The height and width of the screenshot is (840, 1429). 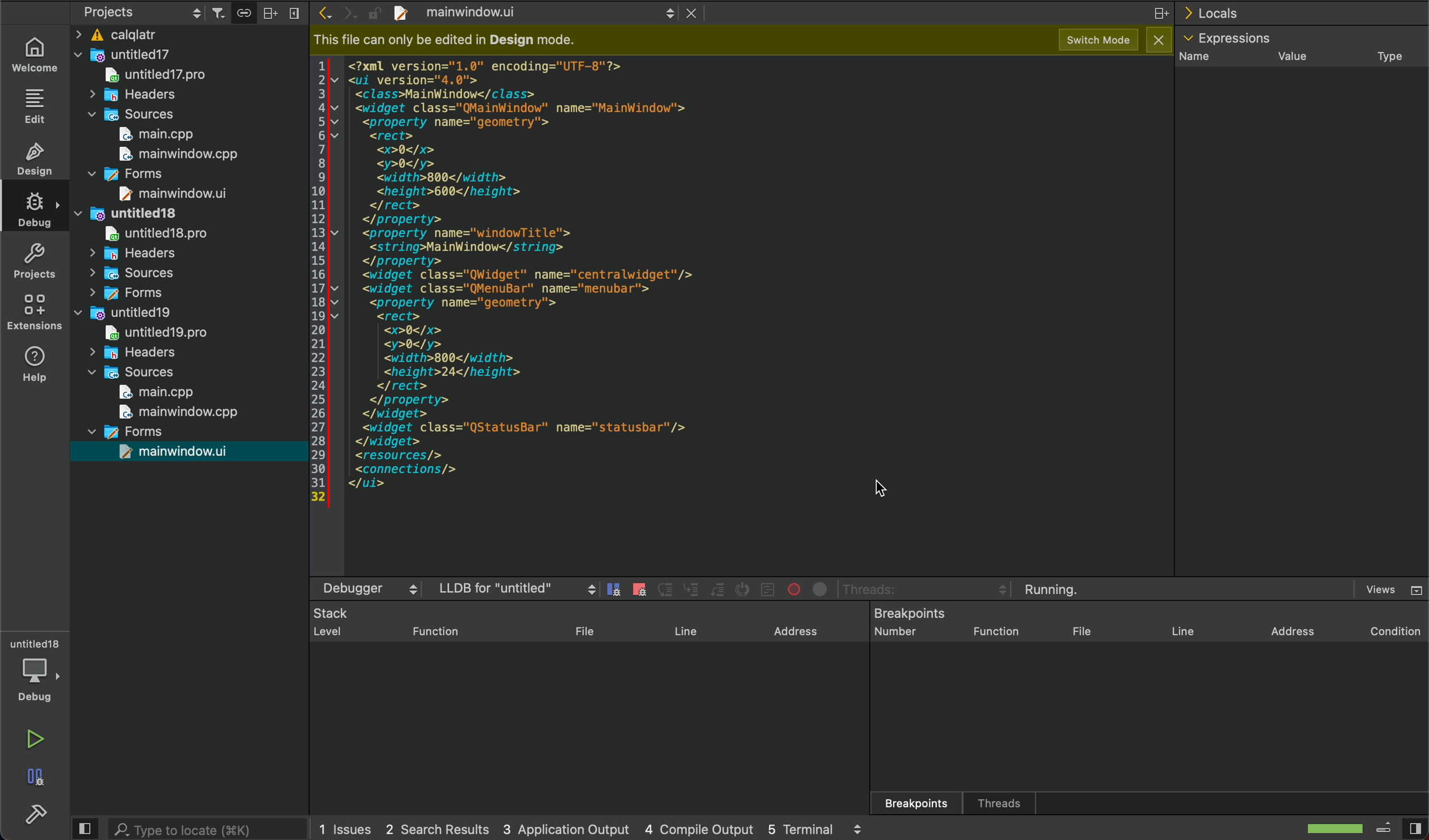 I want to click on 1 <?xml version="1.0" encoding="UTF-8"7?>

2 v <ui version="4.0">

BB] <class>MainWindow</class>

4 v | <widget class="QMainWindow" name="MainWindow'">
5v <property name='"geometry">

6 Vv <rect>

7 <x>0</x>

8 <y>0</y>

9 <width>800</width>

10 <height>600</height>

11 </rect>

12 </property>

13 v <property name="windowTitle">

14 <string>MainWindow</string>

15 </property>

16 <widget class="QWidget" name="centralwidget"/>
17 v <widget class="QMenuBar" name="menubar">
18 v <property name="geometry">

19 v <rect>

20 <x>0</x>

211) <y>0</y>

22 <width>800</width>

23 <height>24</height>

24 </rect>

25 </property>

26 </widget>

27 <widget class="QStatusBar" name="statusbar"/>
28 </widget>

29 <resources/>

30 <connections/>

31 </ui>

32, so click(x=508, y=280).